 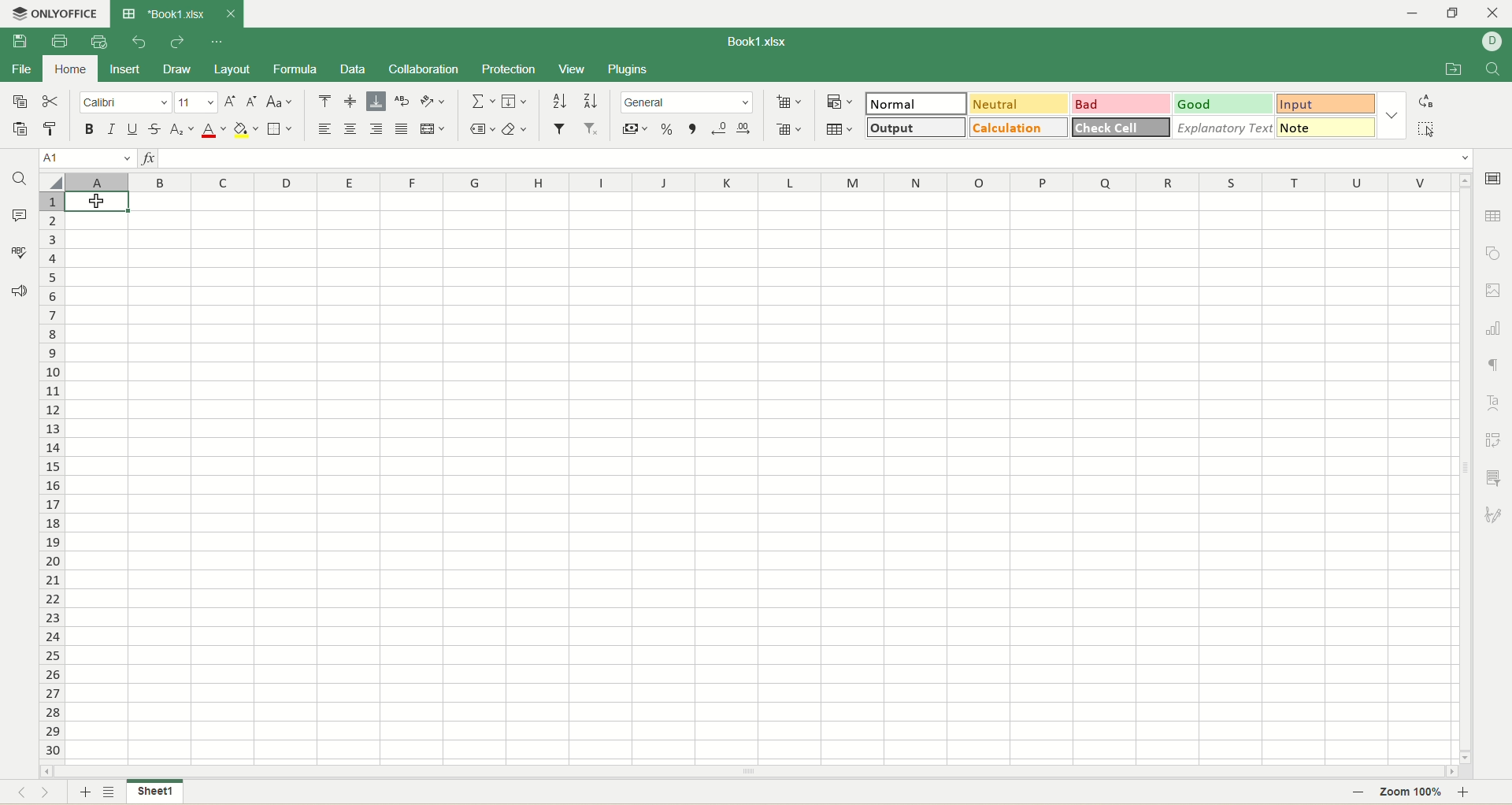 I want to click on view, so click(x=573, y=69).